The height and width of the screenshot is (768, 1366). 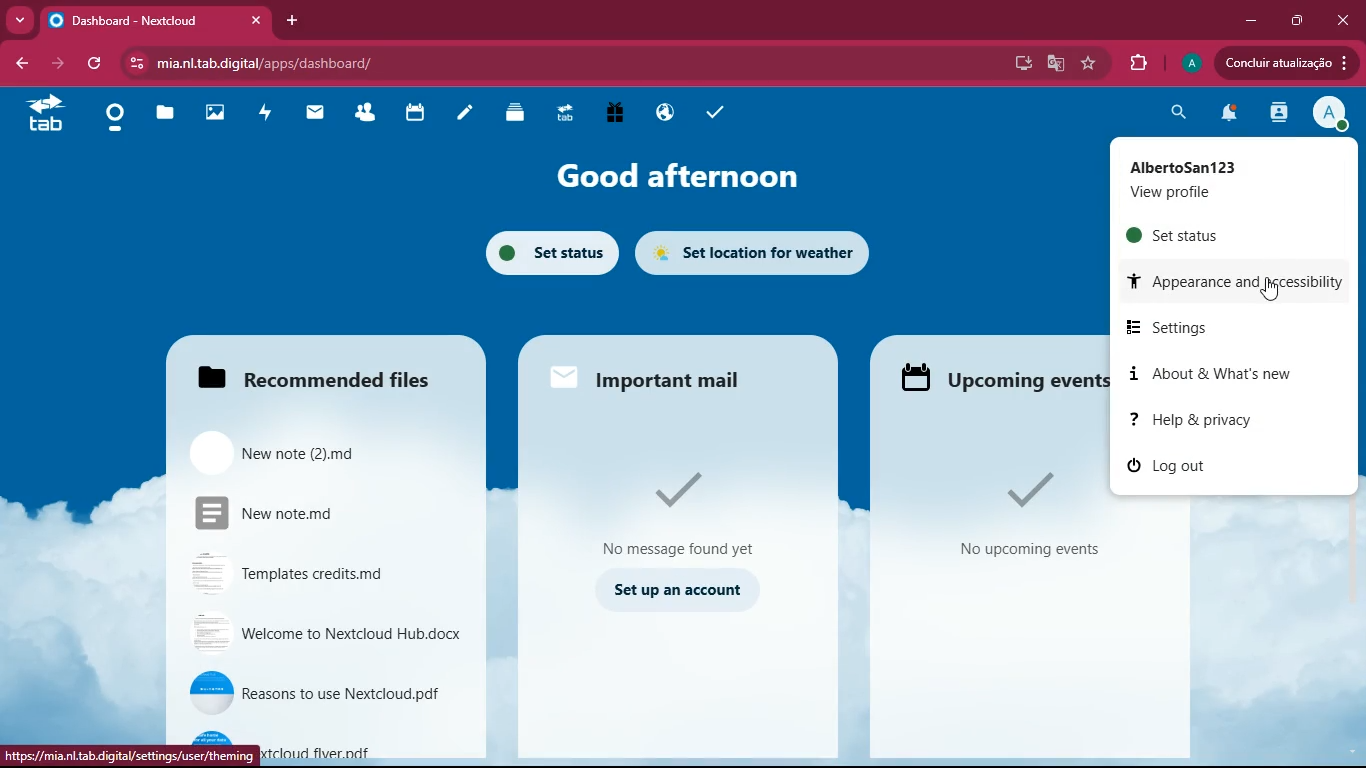 What do you see at coordinates (674, 176) in the screenshot?
I see `good afternoon` at bounding box center [674, 176].